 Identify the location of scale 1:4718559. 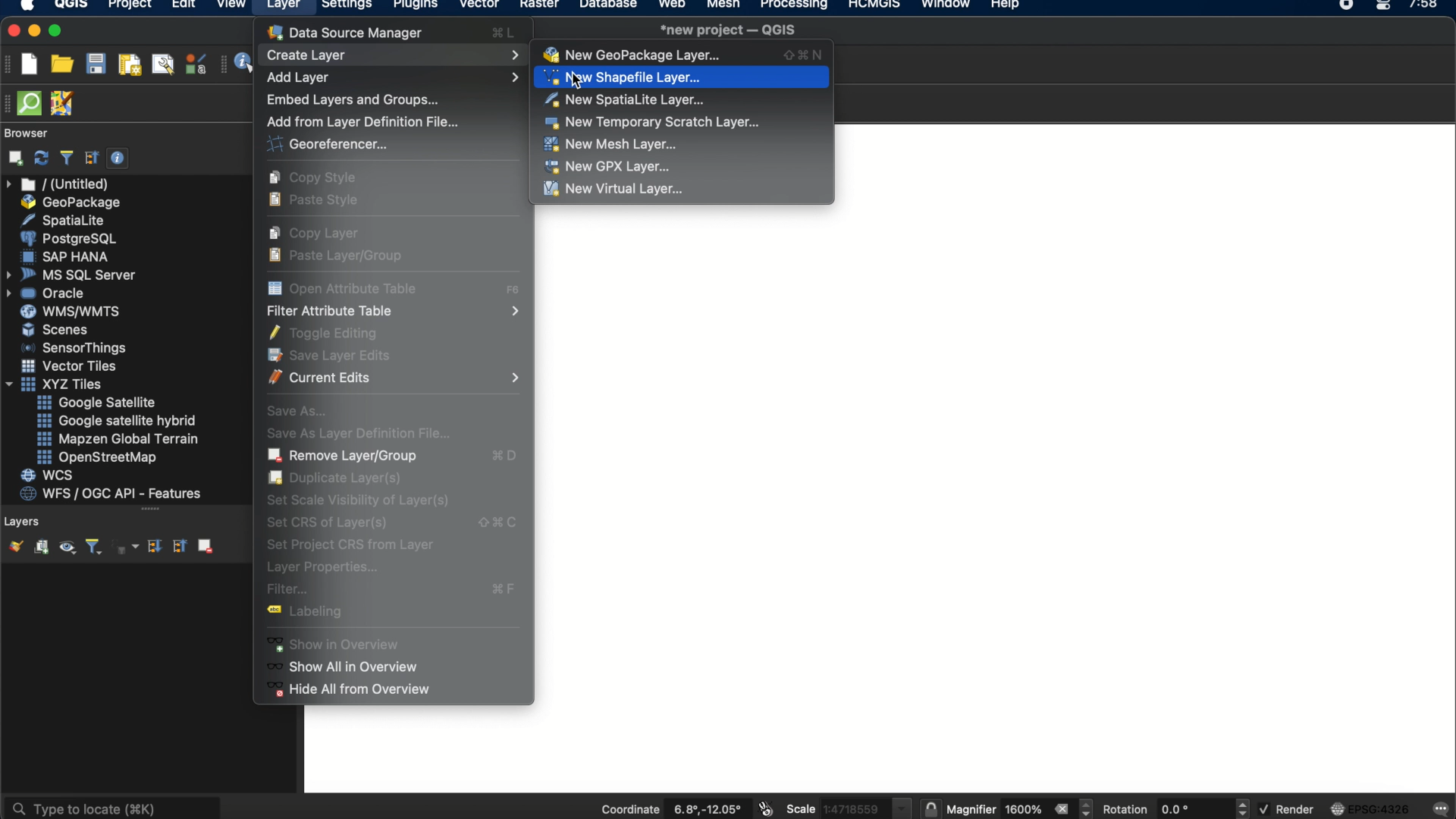
(846, 807).